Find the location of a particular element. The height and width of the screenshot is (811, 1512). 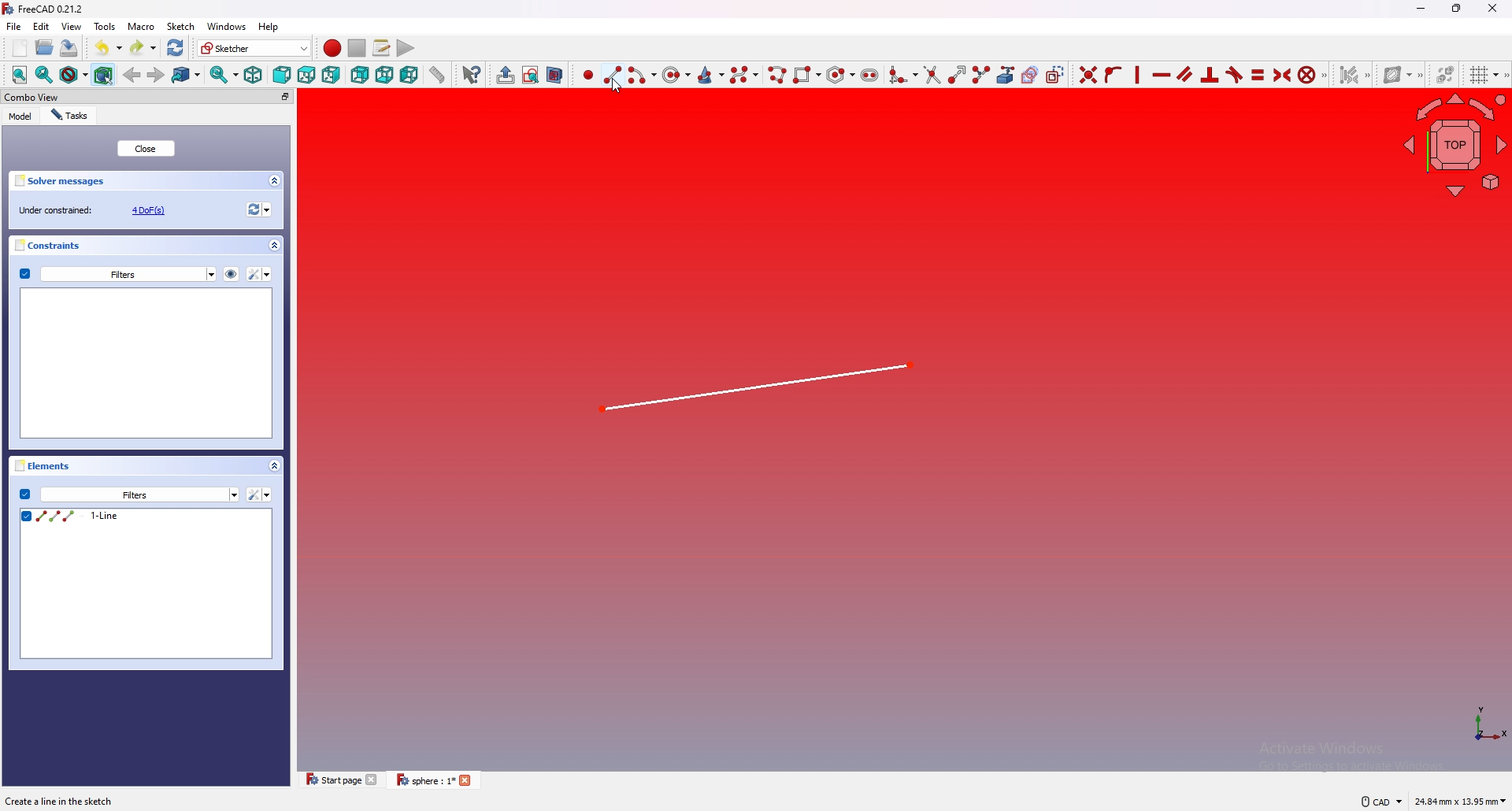

Create circle is located at coordinates (676, 75).